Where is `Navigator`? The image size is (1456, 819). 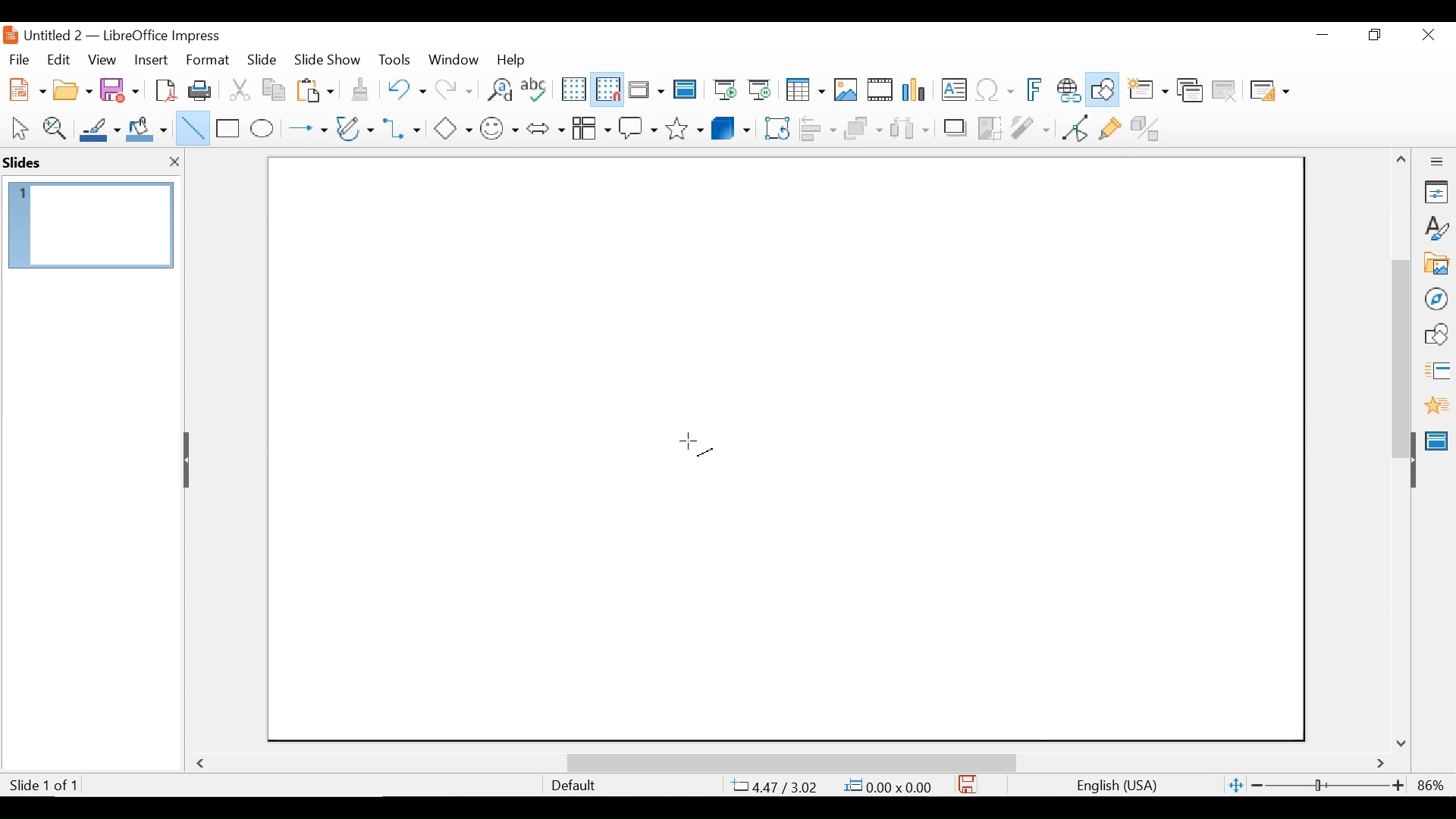
Navigator is located at coordinates (1436, 298).